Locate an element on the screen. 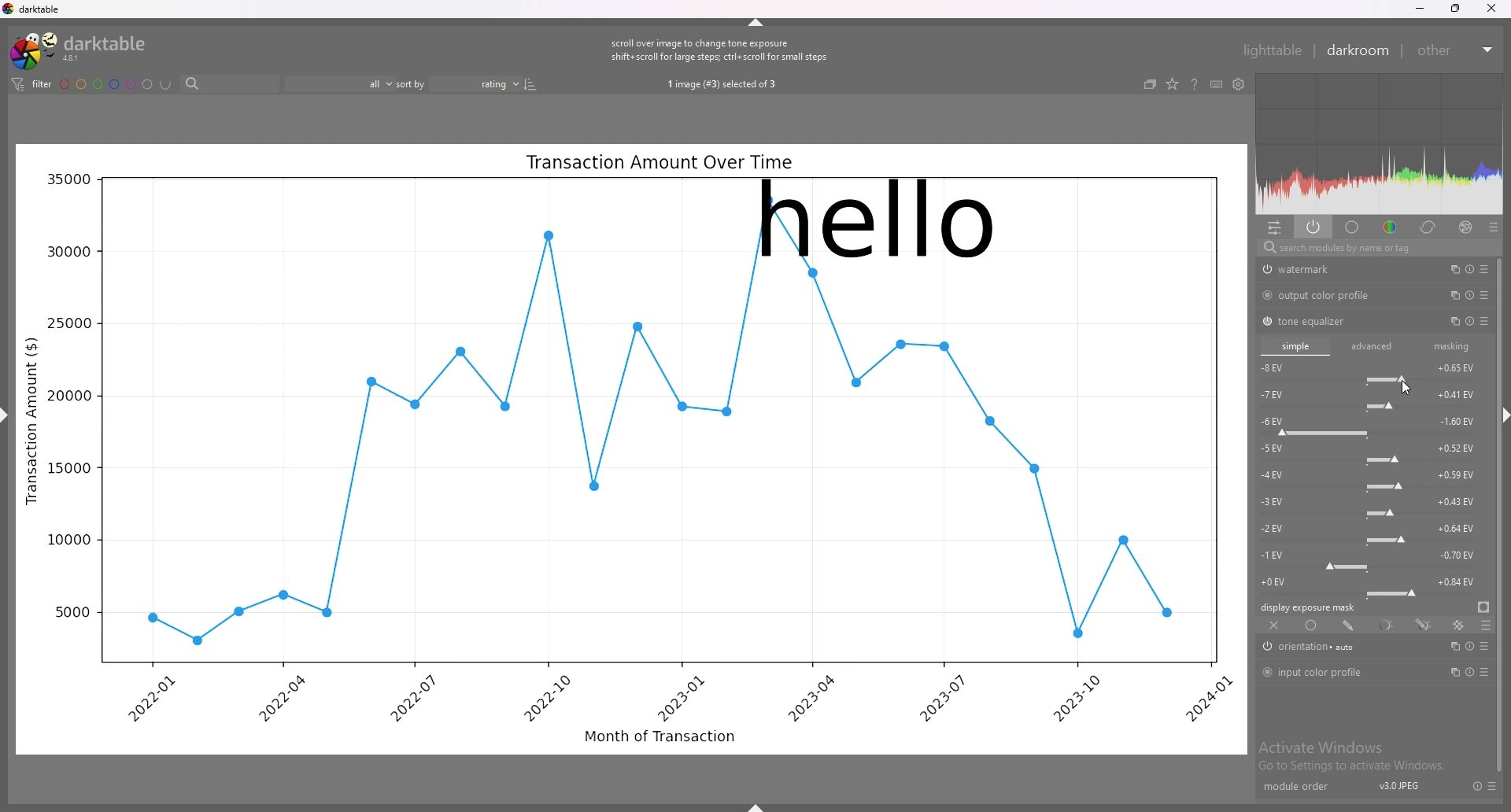 The image size is (1511, 812). 2023-10 is located at coordinates (1084, 699).